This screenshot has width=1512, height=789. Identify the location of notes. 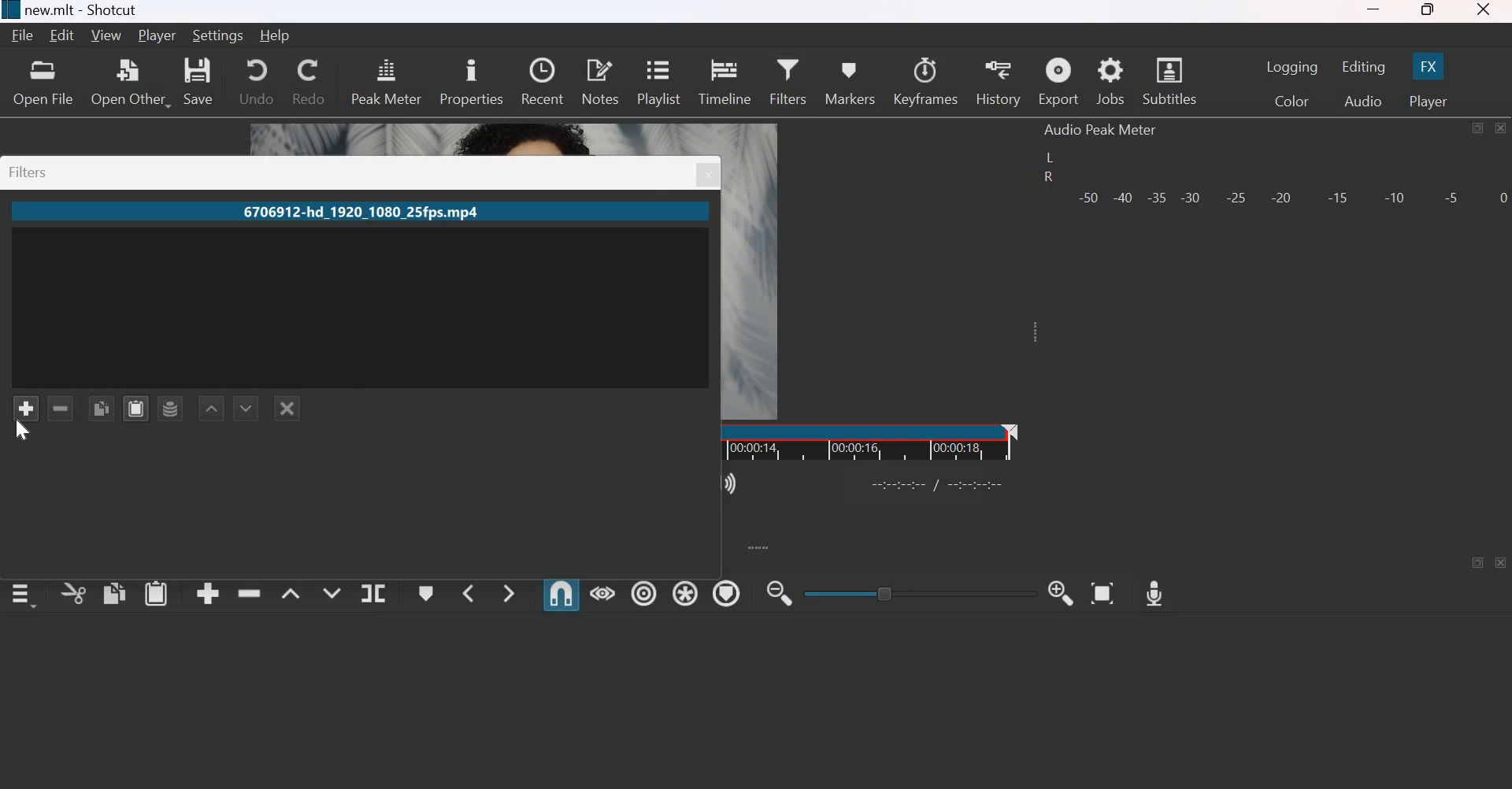
(600, 80).